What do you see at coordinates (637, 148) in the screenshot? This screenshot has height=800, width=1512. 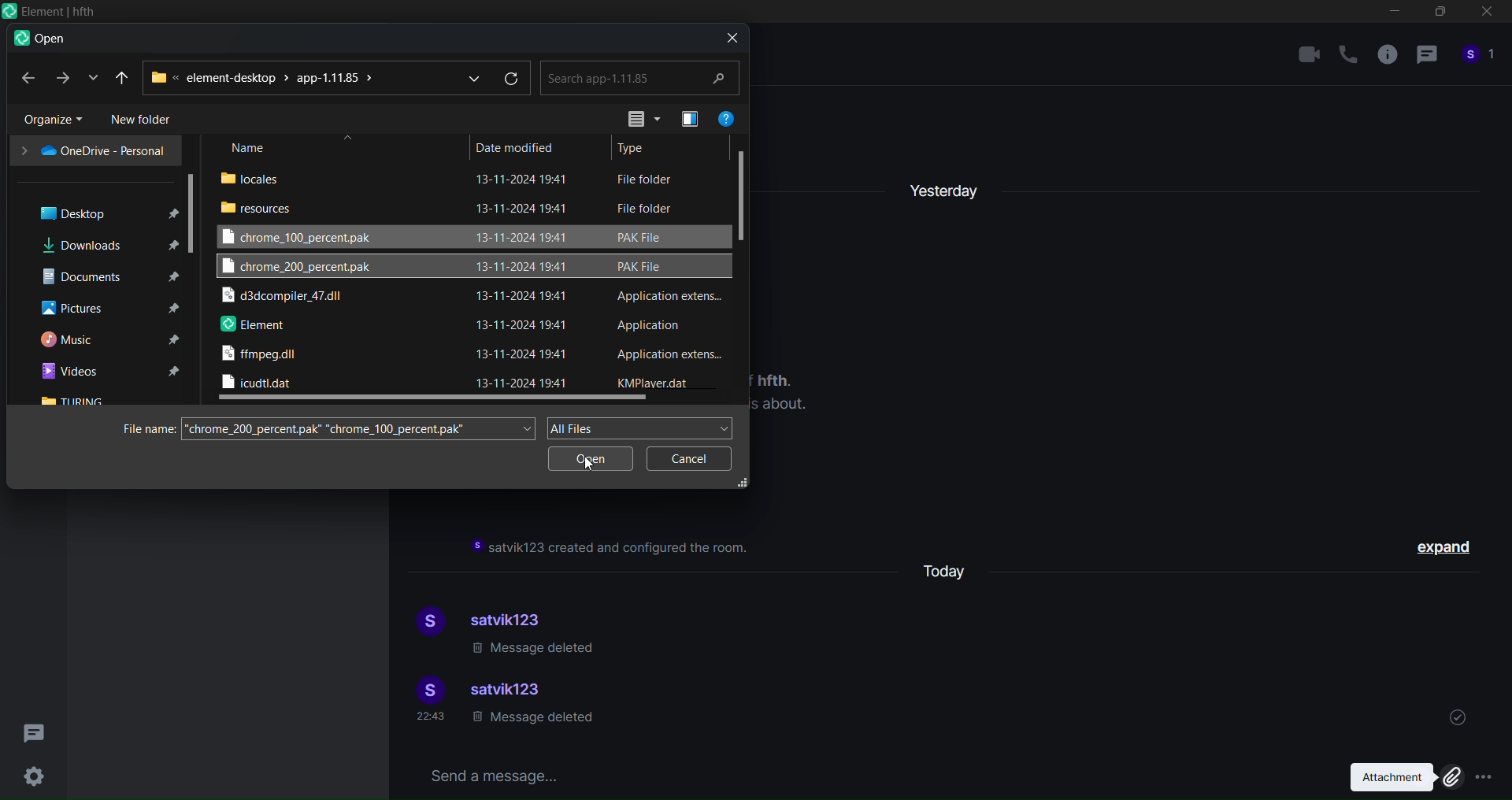 I see `type` at bounding box center [637, 148].